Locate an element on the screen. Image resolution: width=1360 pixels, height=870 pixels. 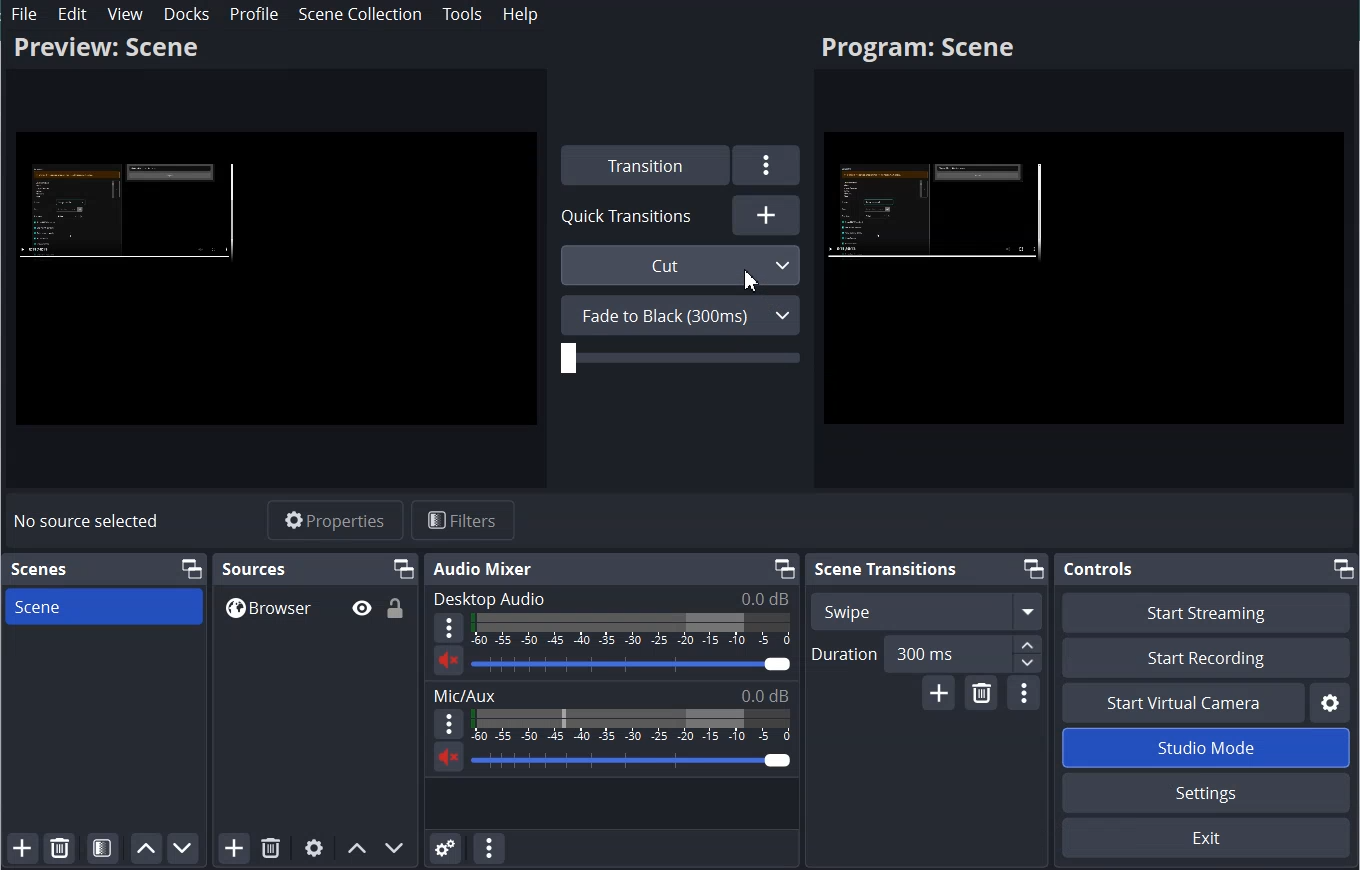
Text is located at coordinates (612, 695).